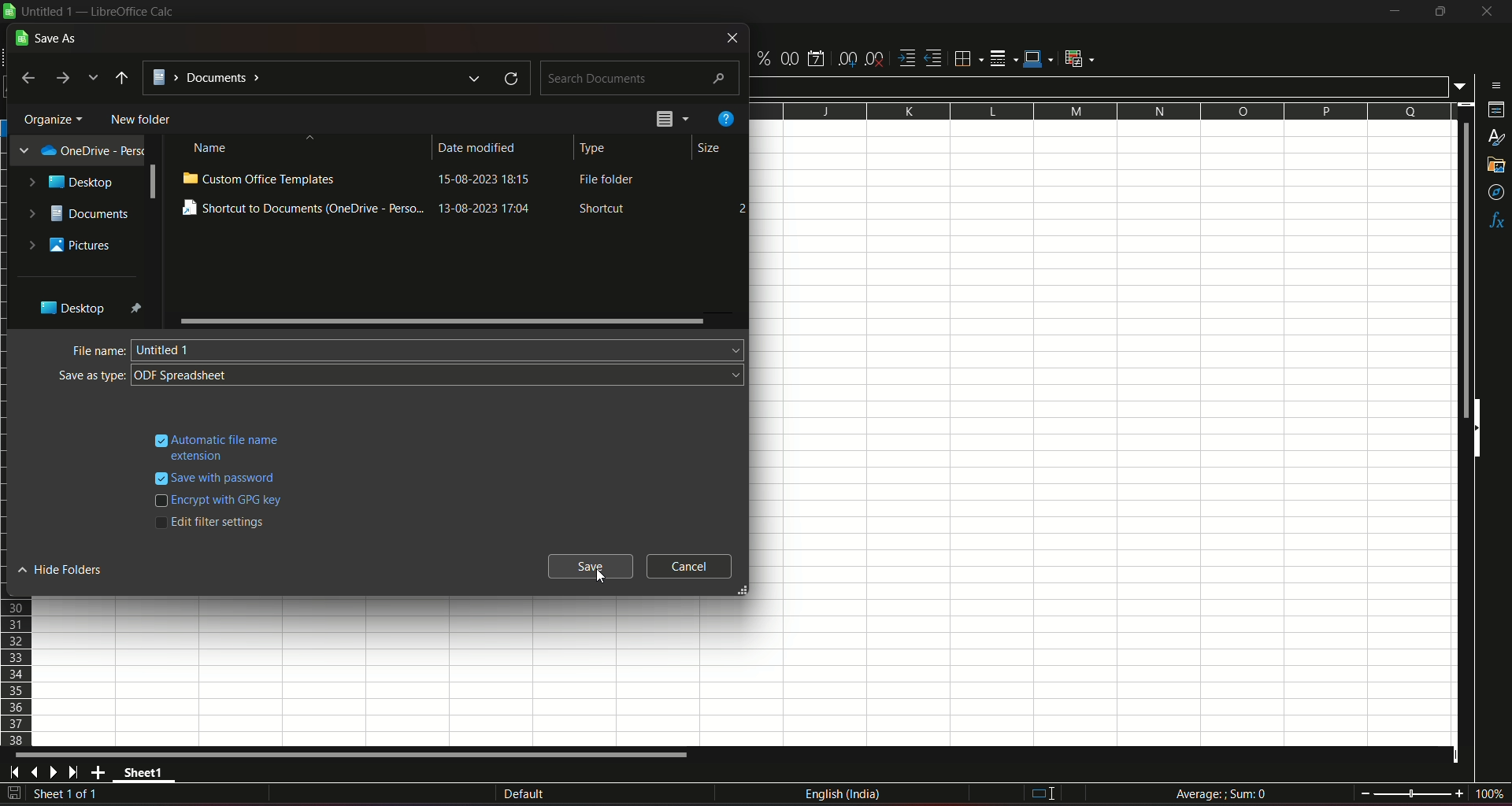 The width and height of the screenshot is (1512, 806). I want to click on gallery, so click(1497, 168).